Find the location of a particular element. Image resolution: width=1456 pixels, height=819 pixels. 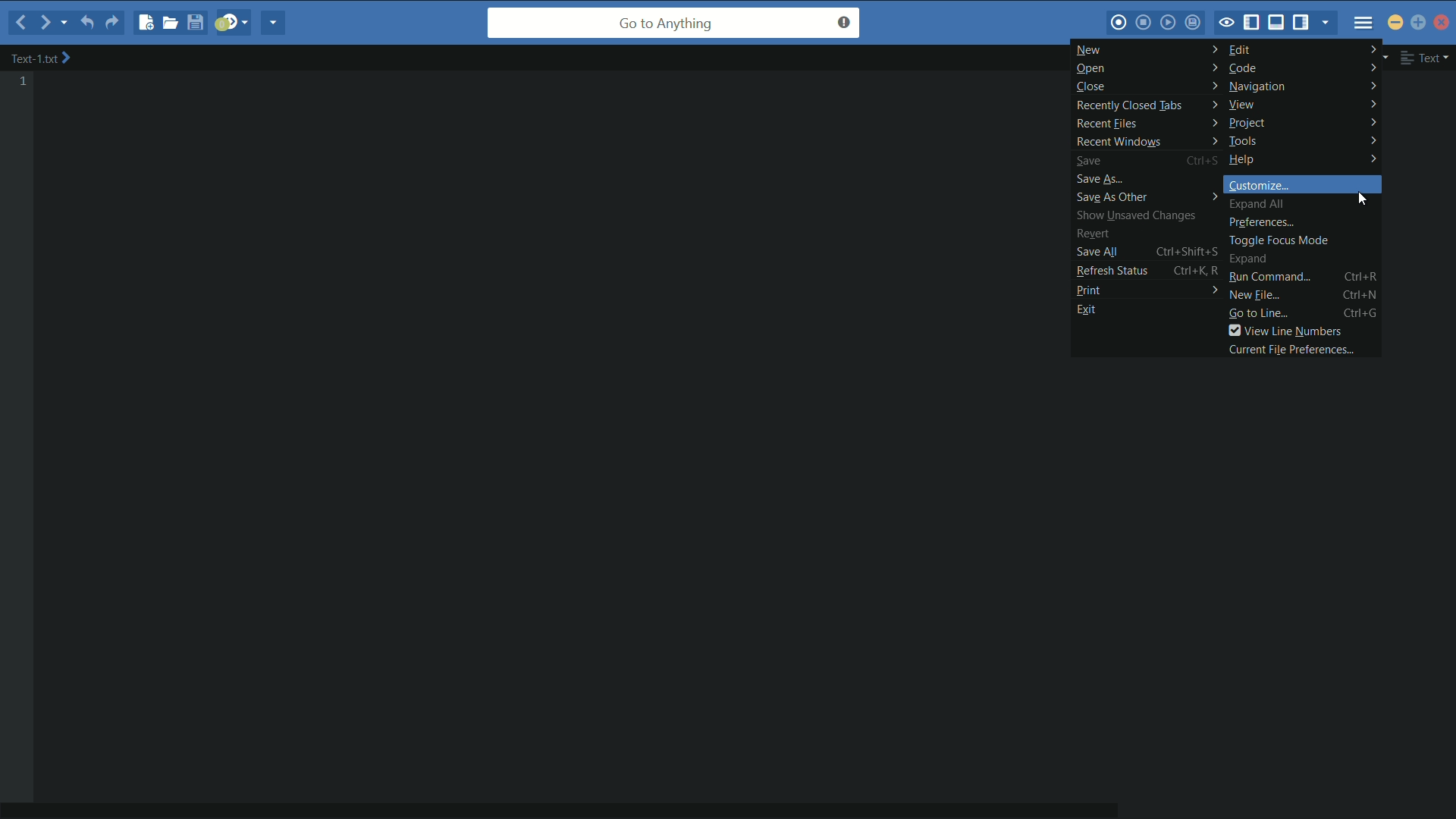

save file is located at coordinates (196, 24).